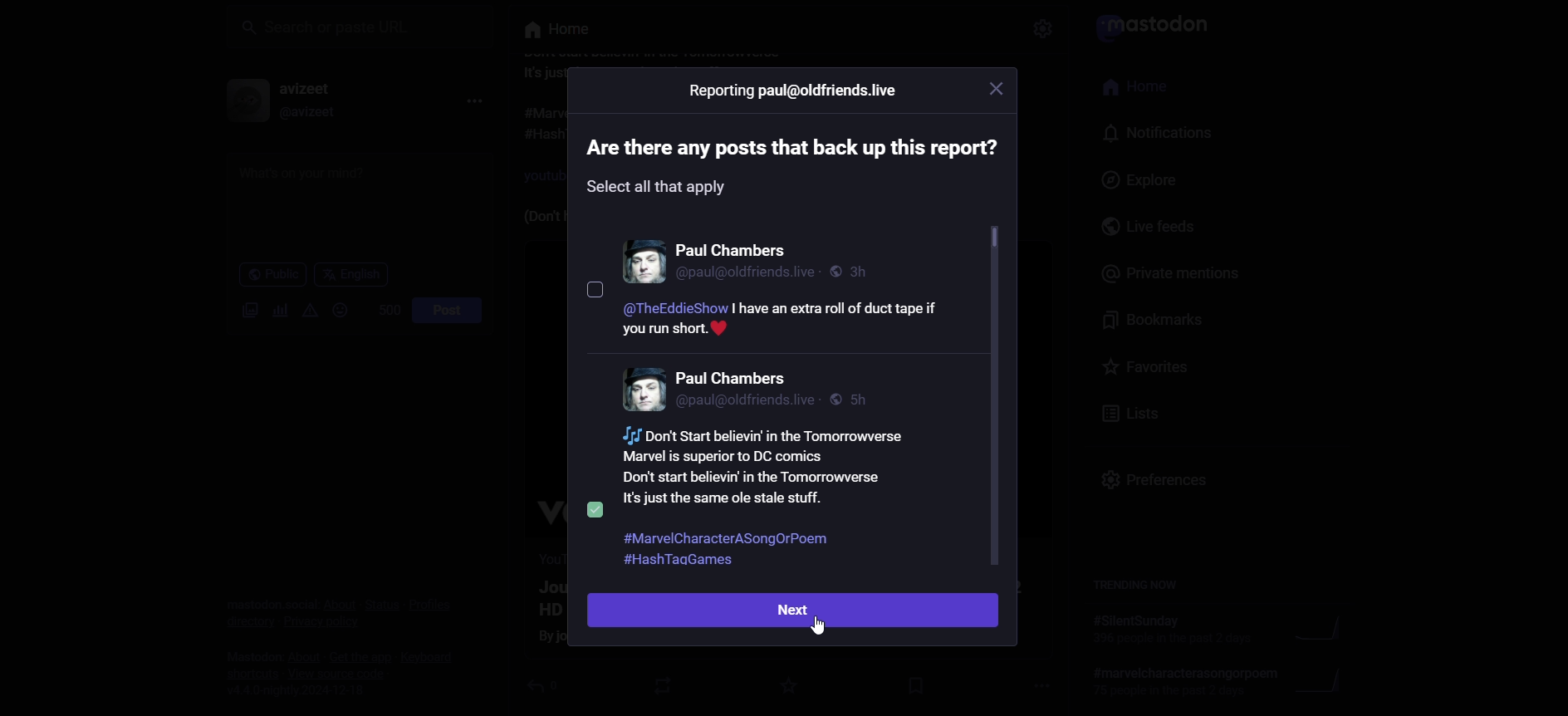 This screenshot has height=716, width=1568. What do you see at coordinates (641, 260) in the screenshot?
I see `ant other post to be selected for reporting` at bounding box center [641, 260].